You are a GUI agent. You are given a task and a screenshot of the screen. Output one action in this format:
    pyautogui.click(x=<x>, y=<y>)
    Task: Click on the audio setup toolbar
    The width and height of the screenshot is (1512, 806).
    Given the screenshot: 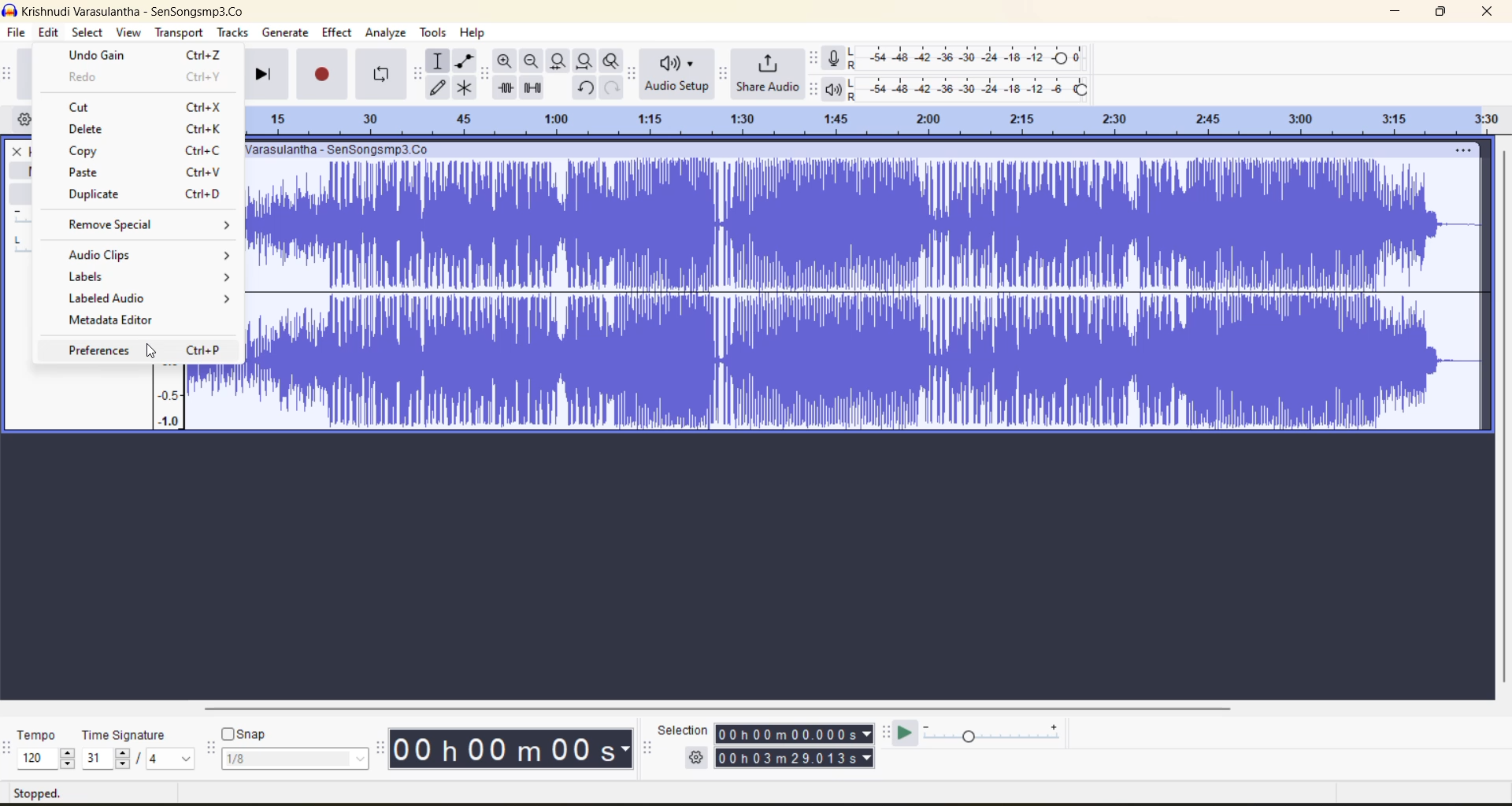 What is the action you would take?
    pyautogui.click(x=632, y=73)
    